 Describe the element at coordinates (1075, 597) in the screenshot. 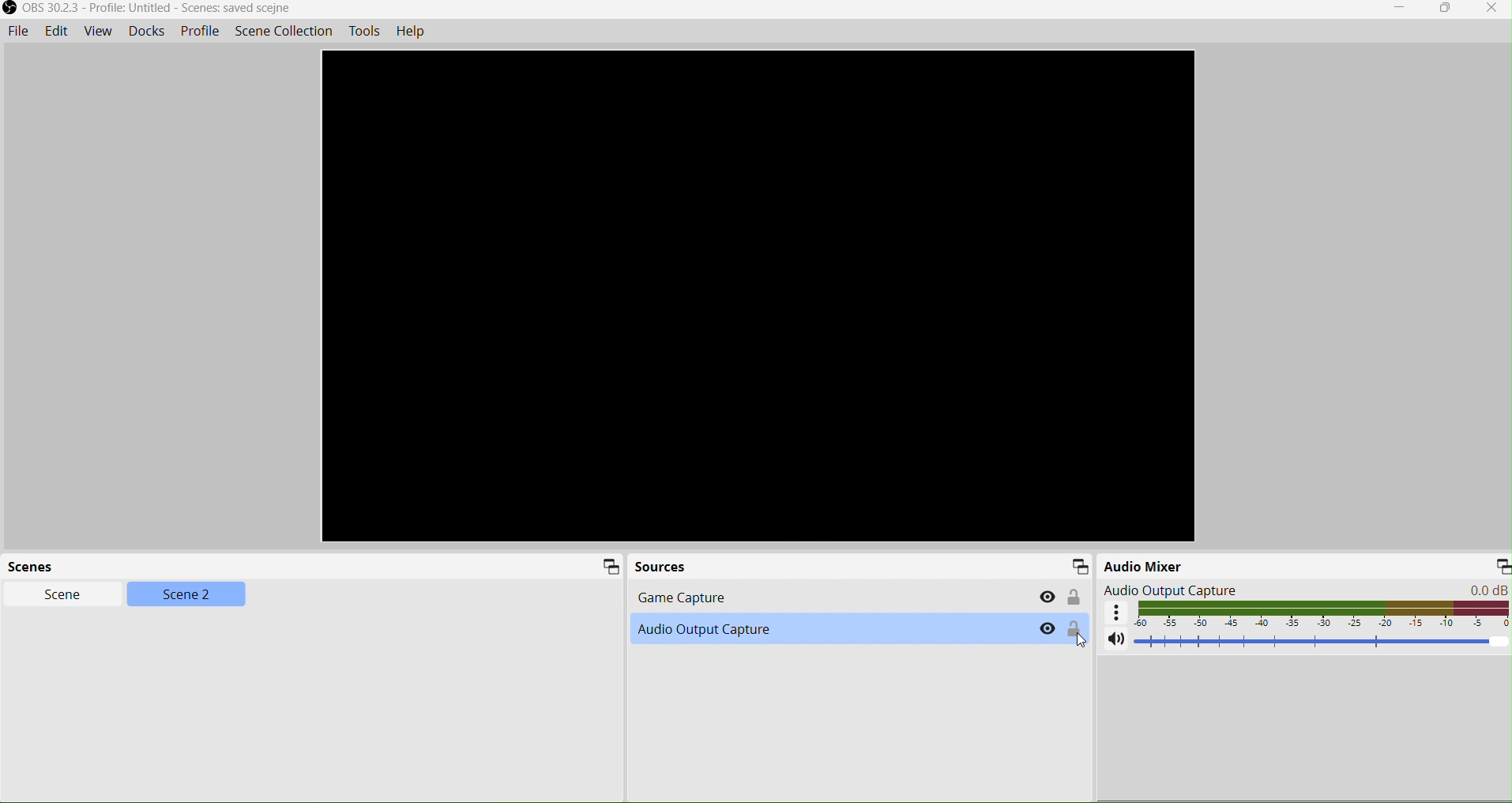

I see `Lock` at that location.